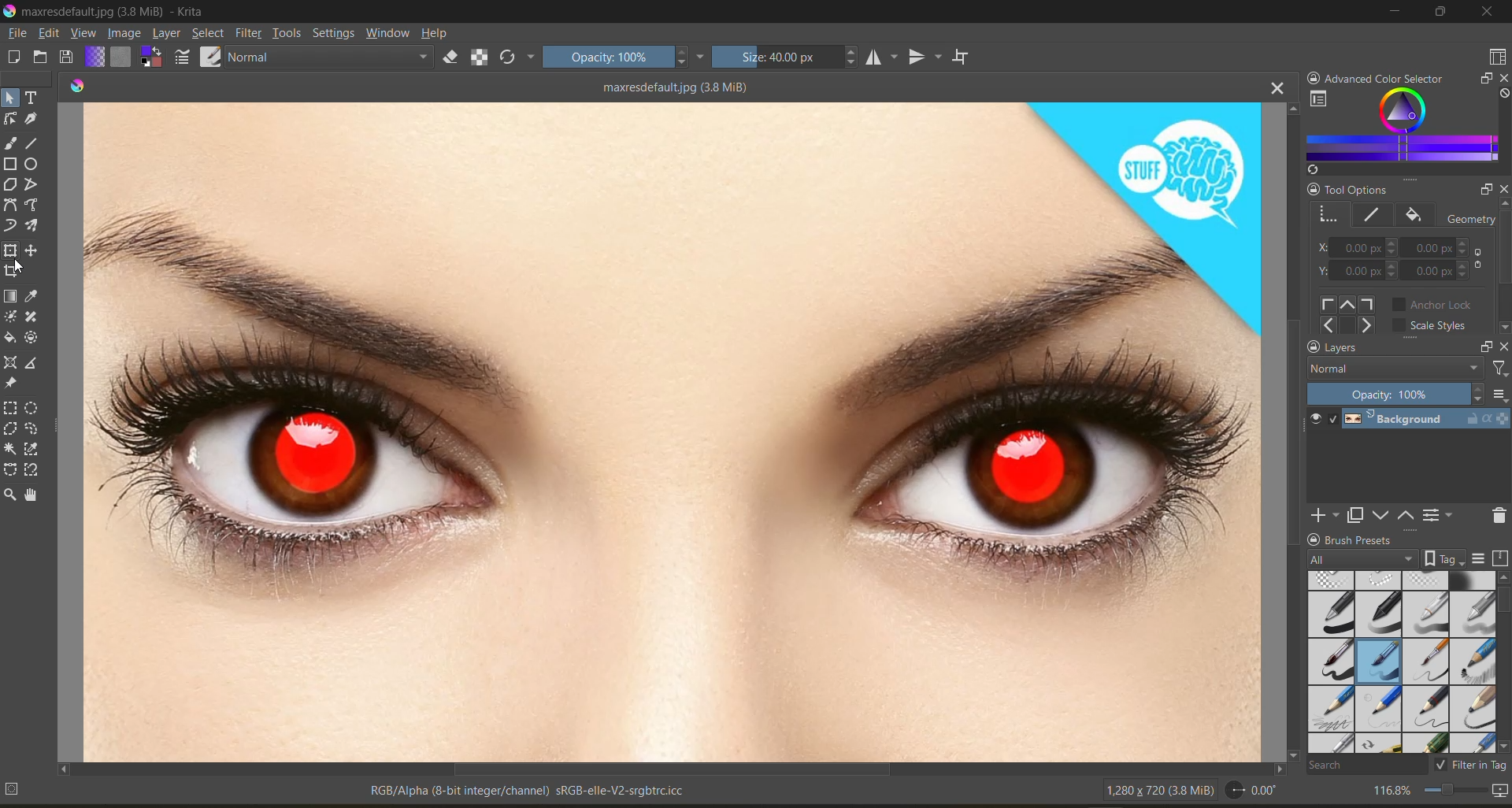 Image resolution: width=1512 pixels, height=808 pixels. Describe the element at coordinates (1503, 598) in the screenshot. I see `vertical scroll bar` at that location.